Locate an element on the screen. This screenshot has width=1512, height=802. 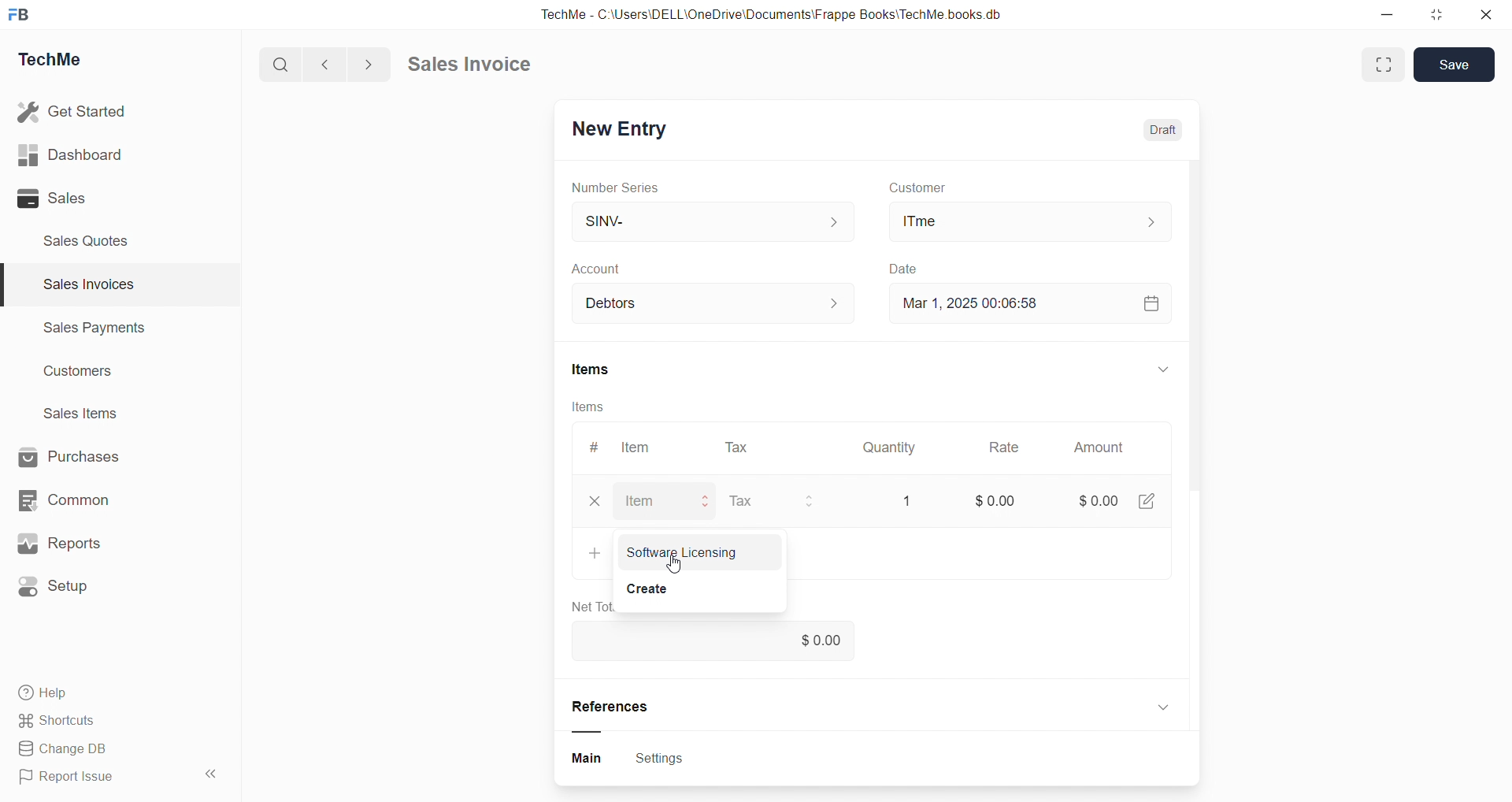
Account is located at coordinates (621, 270).